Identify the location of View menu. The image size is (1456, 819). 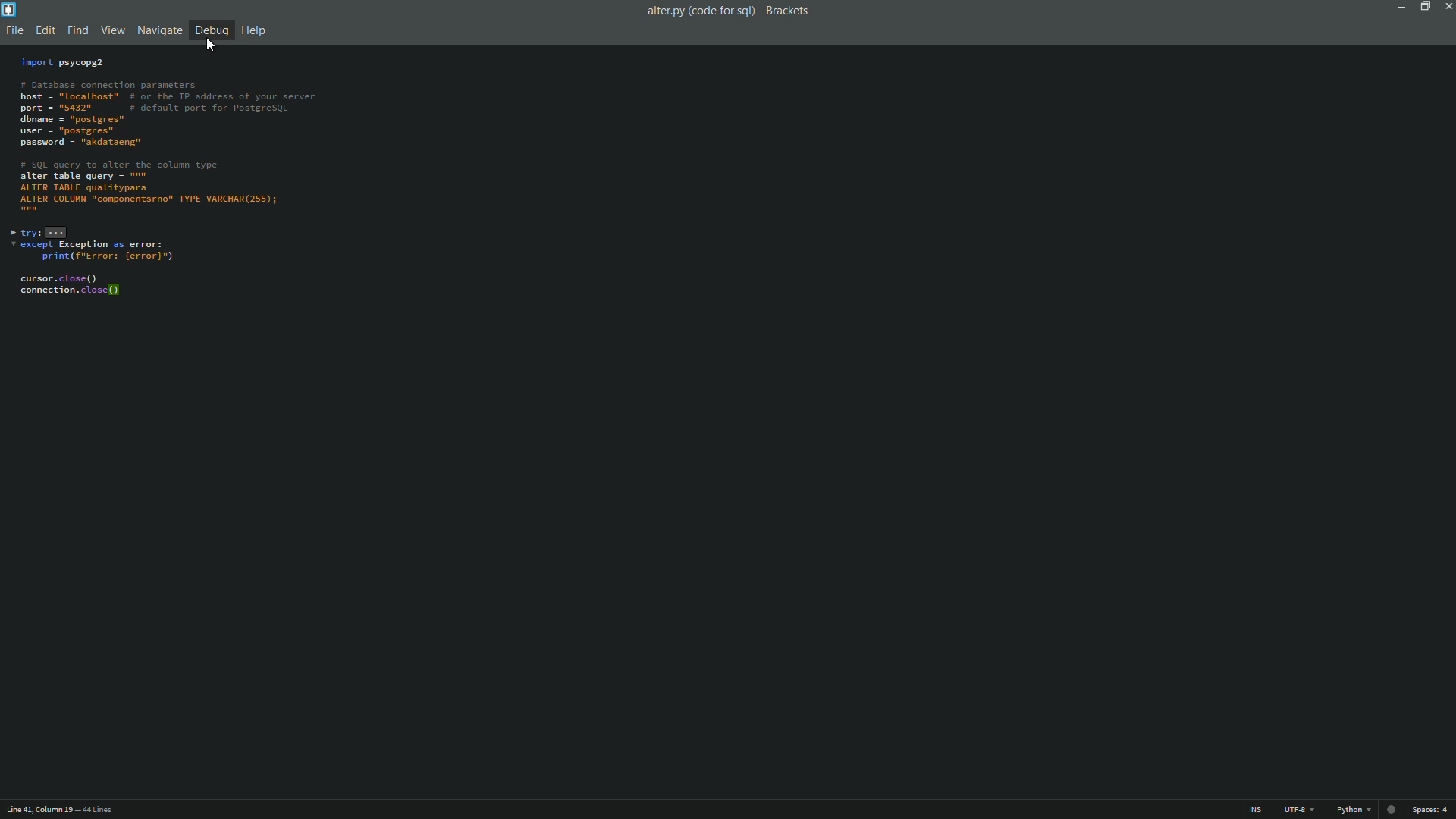
(112, 32).